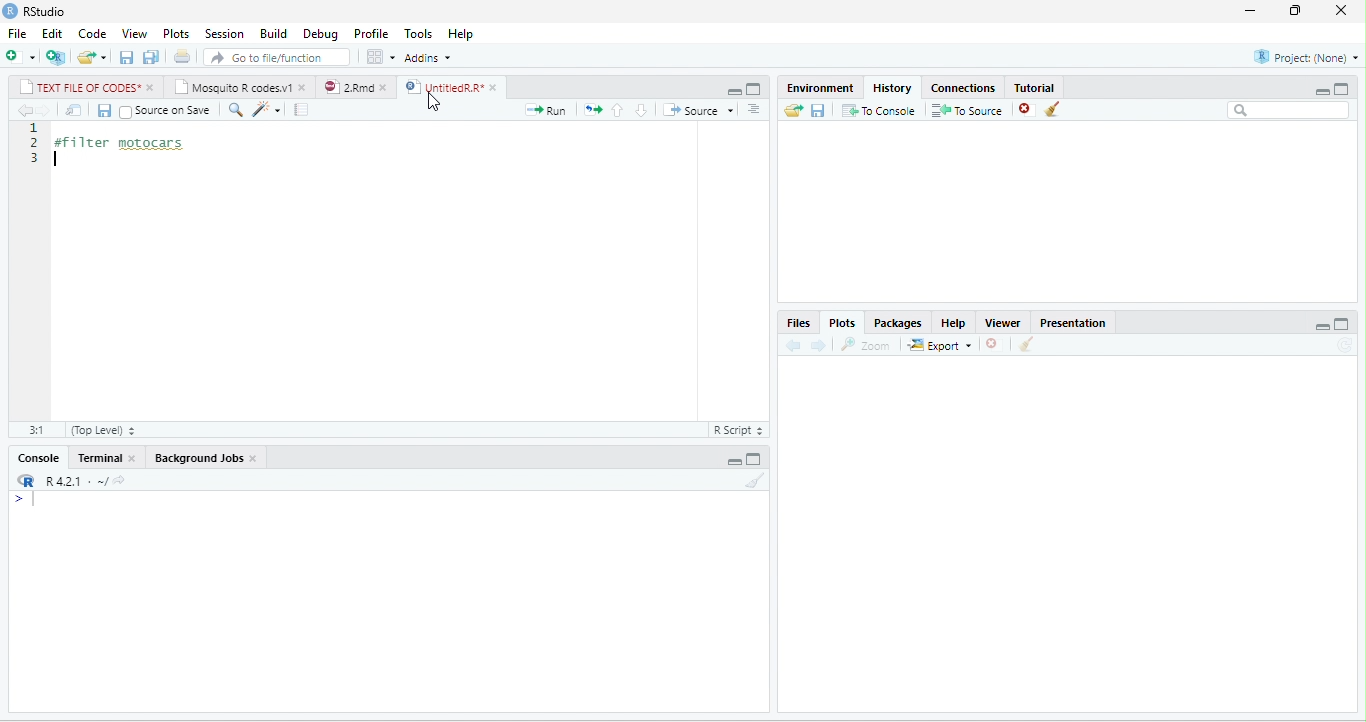 The image size is (1366, 722). Describe the element at coordinates (794, 345) in the screenshot. I see `back` at that location.